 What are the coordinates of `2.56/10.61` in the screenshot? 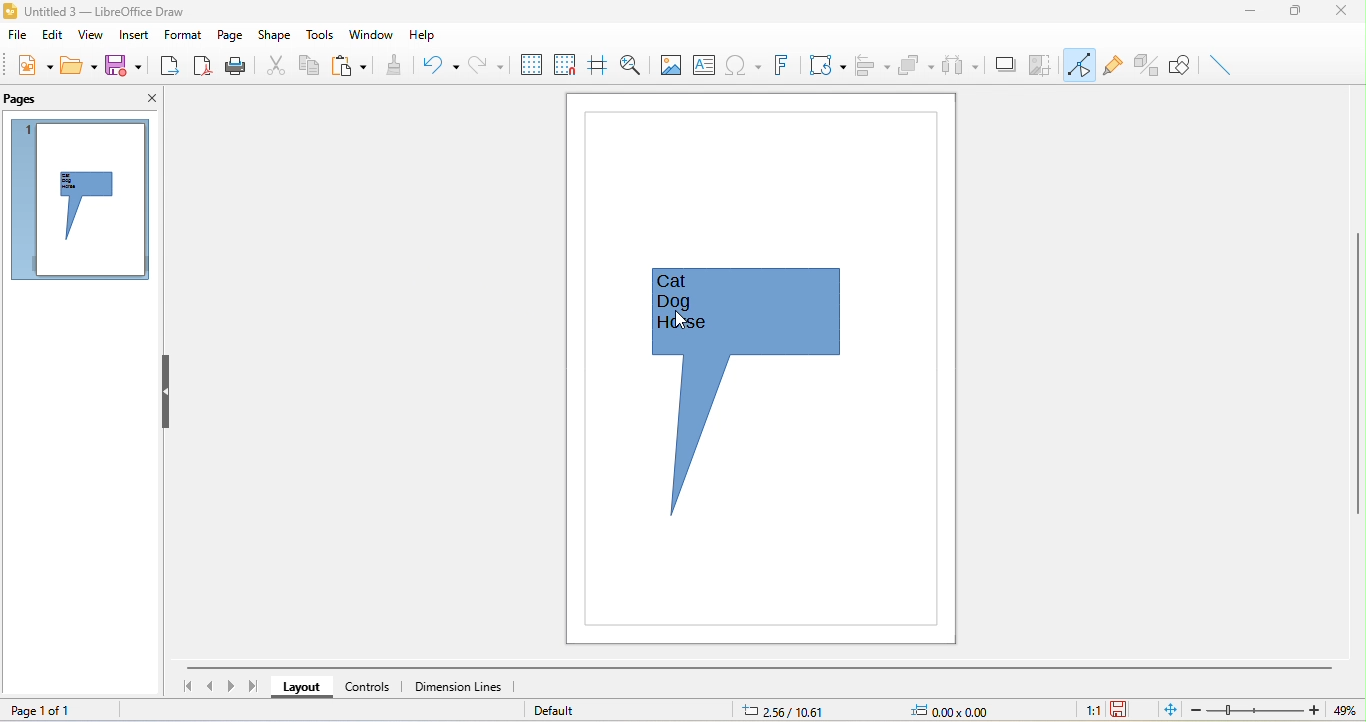 It's located at (791, 711).